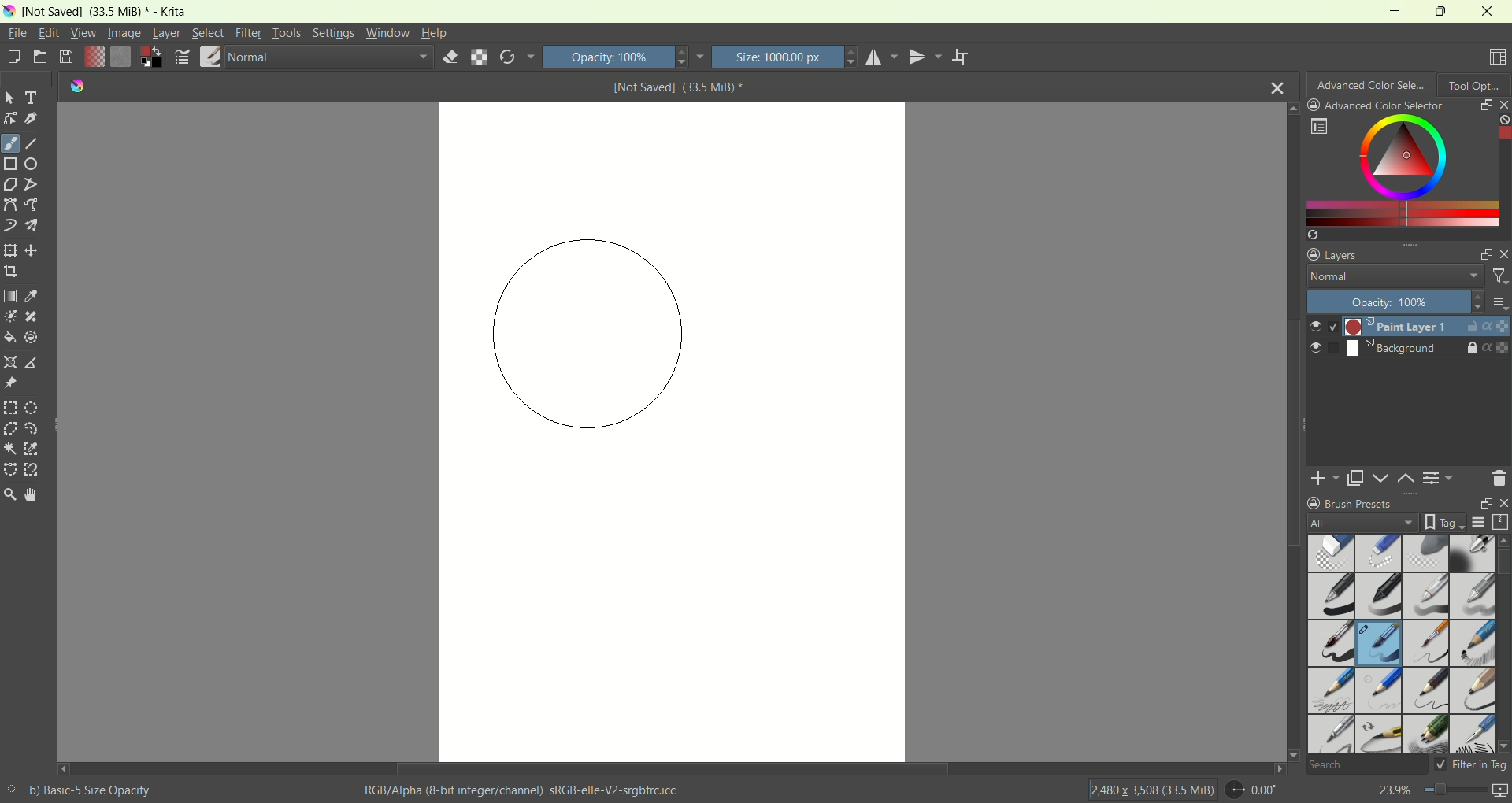 The image size is (1512, 803). What do you see at coordinates (29, 494) in the screenshot?
I see `pan` at bounding box center [29, 494].